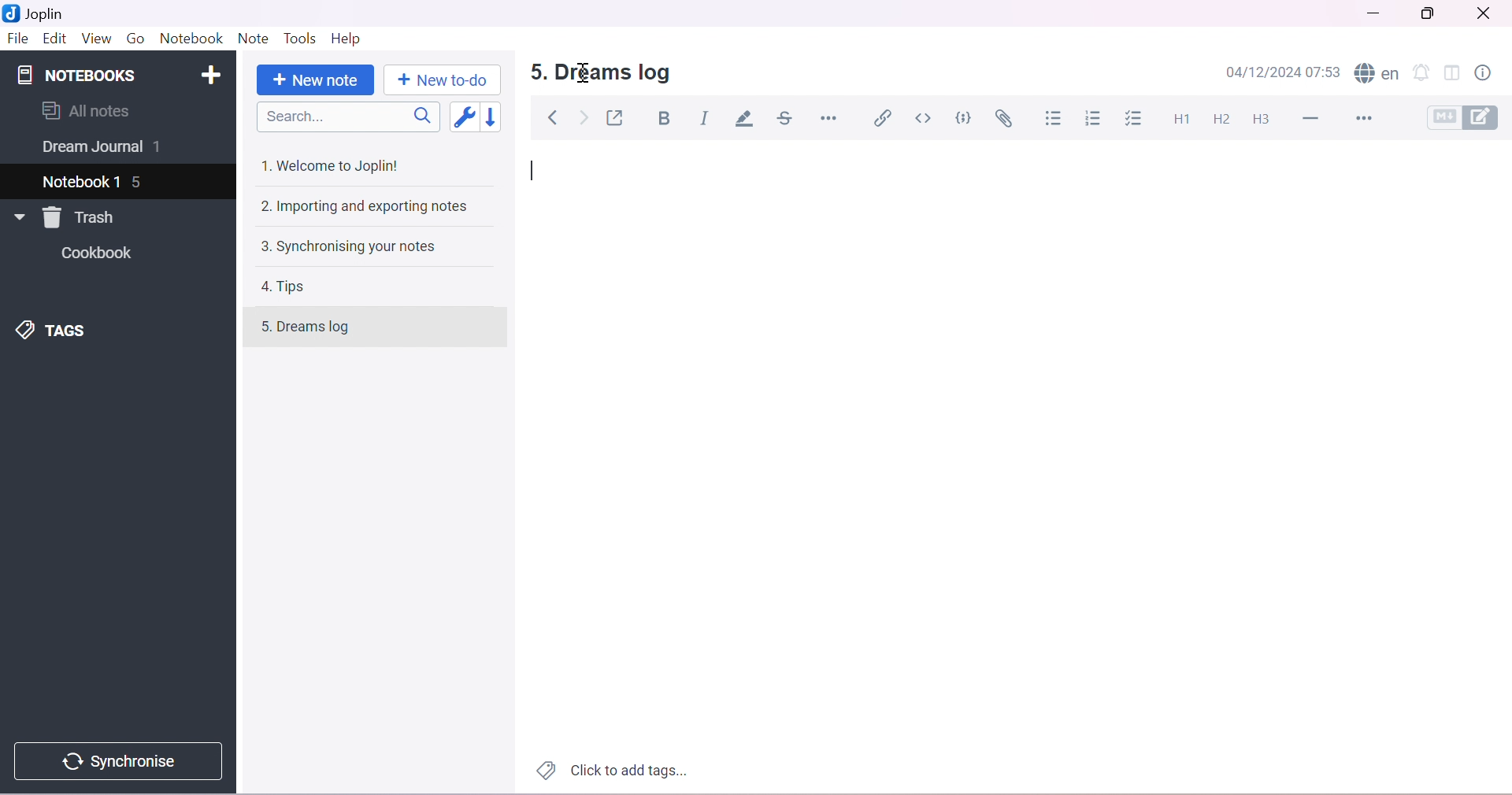 This screenshot has height=795, width=1512. I want to click on Checkbox, so click(1137, 119).